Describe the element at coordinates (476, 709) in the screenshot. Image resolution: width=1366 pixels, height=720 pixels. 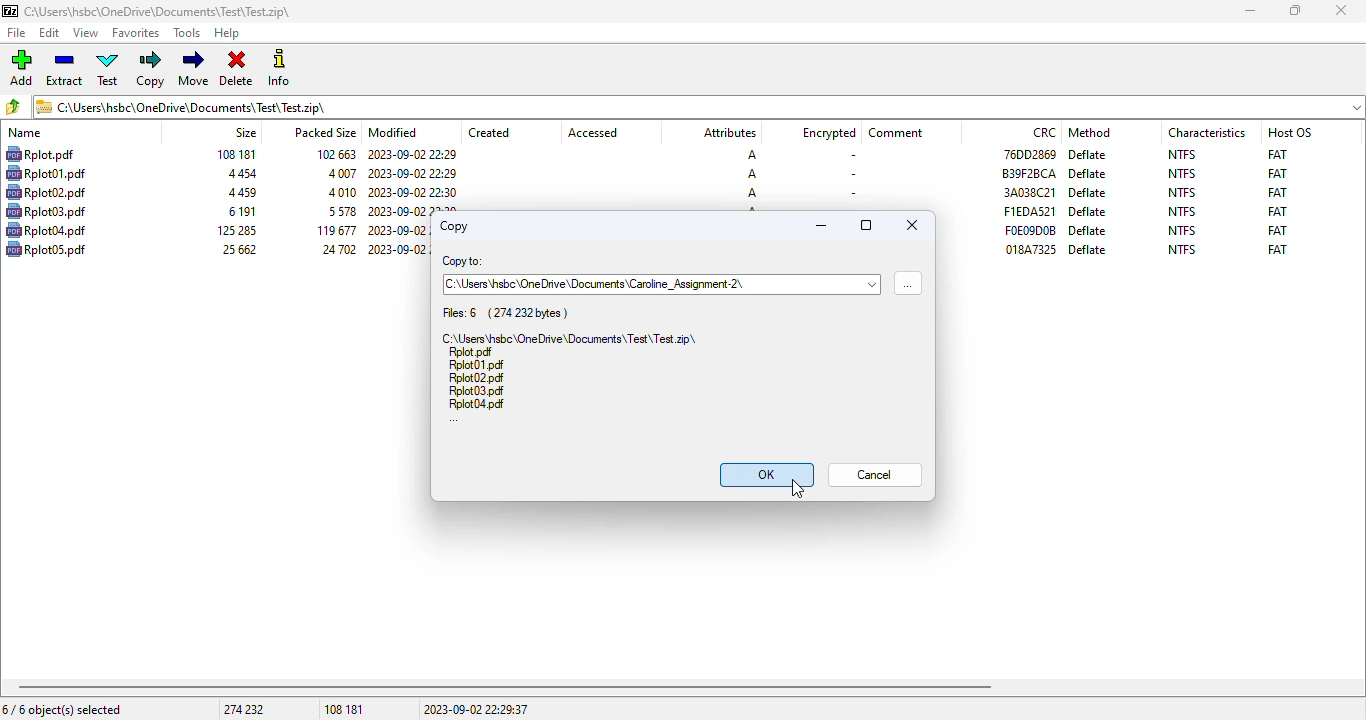
I see `2023-09-02 22:29:37` at that location.